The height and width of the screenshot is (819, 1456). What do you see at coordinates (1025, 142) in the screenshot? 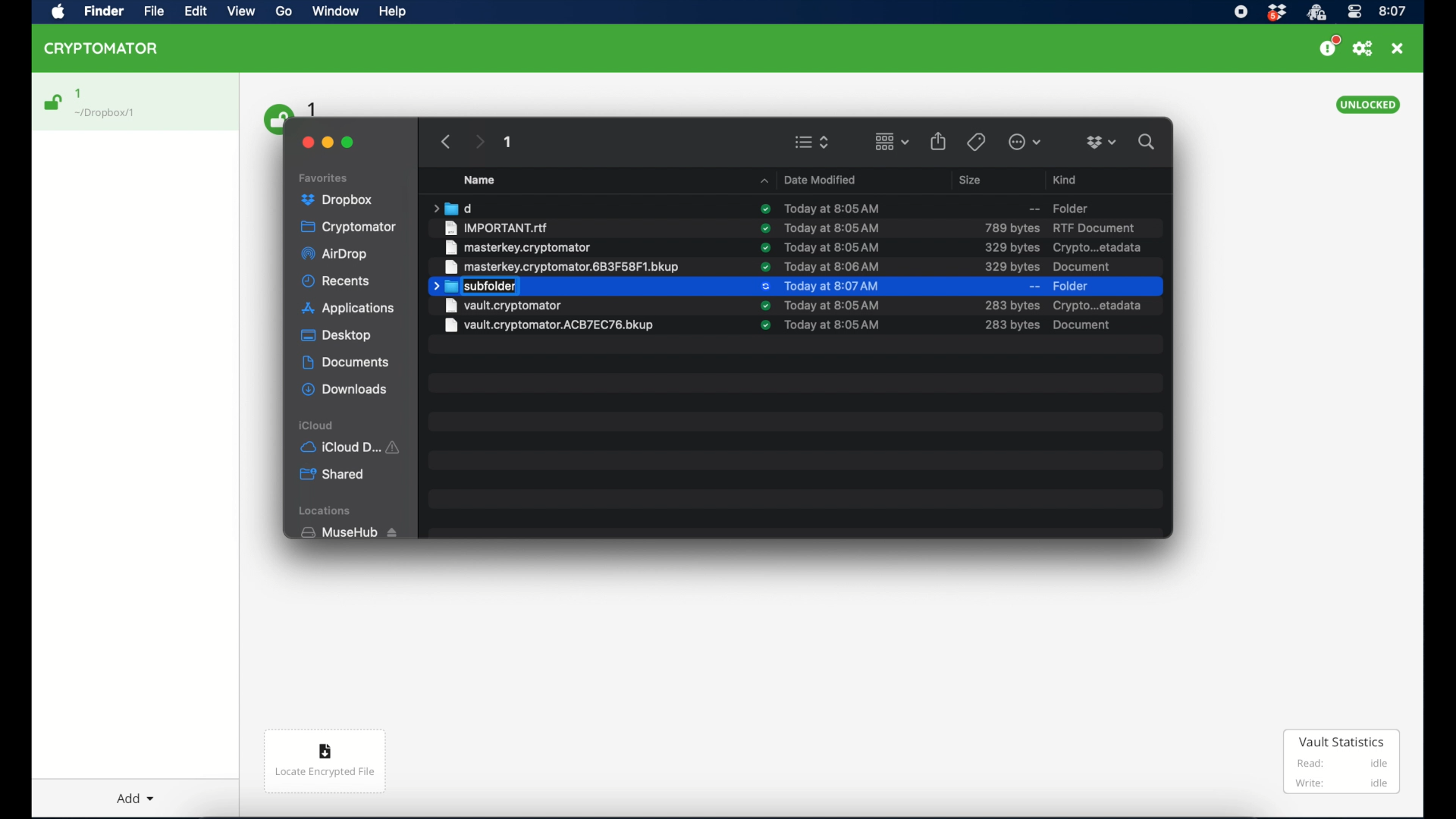
I see `more options` at bounding box center [1025, 142].